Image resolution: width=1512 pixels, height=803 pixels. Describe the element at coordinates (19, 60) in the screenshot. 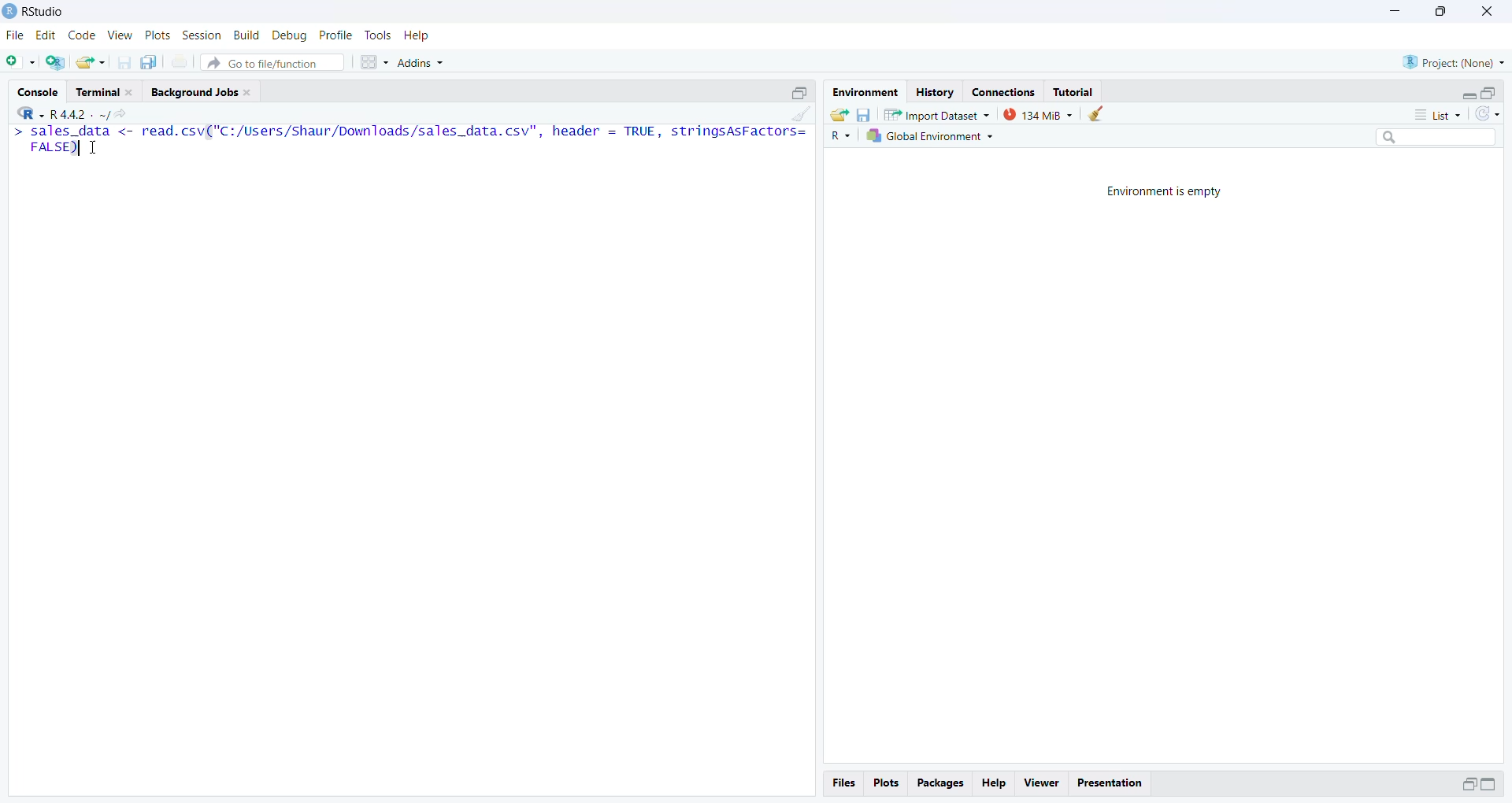

I see `New File` at that location.